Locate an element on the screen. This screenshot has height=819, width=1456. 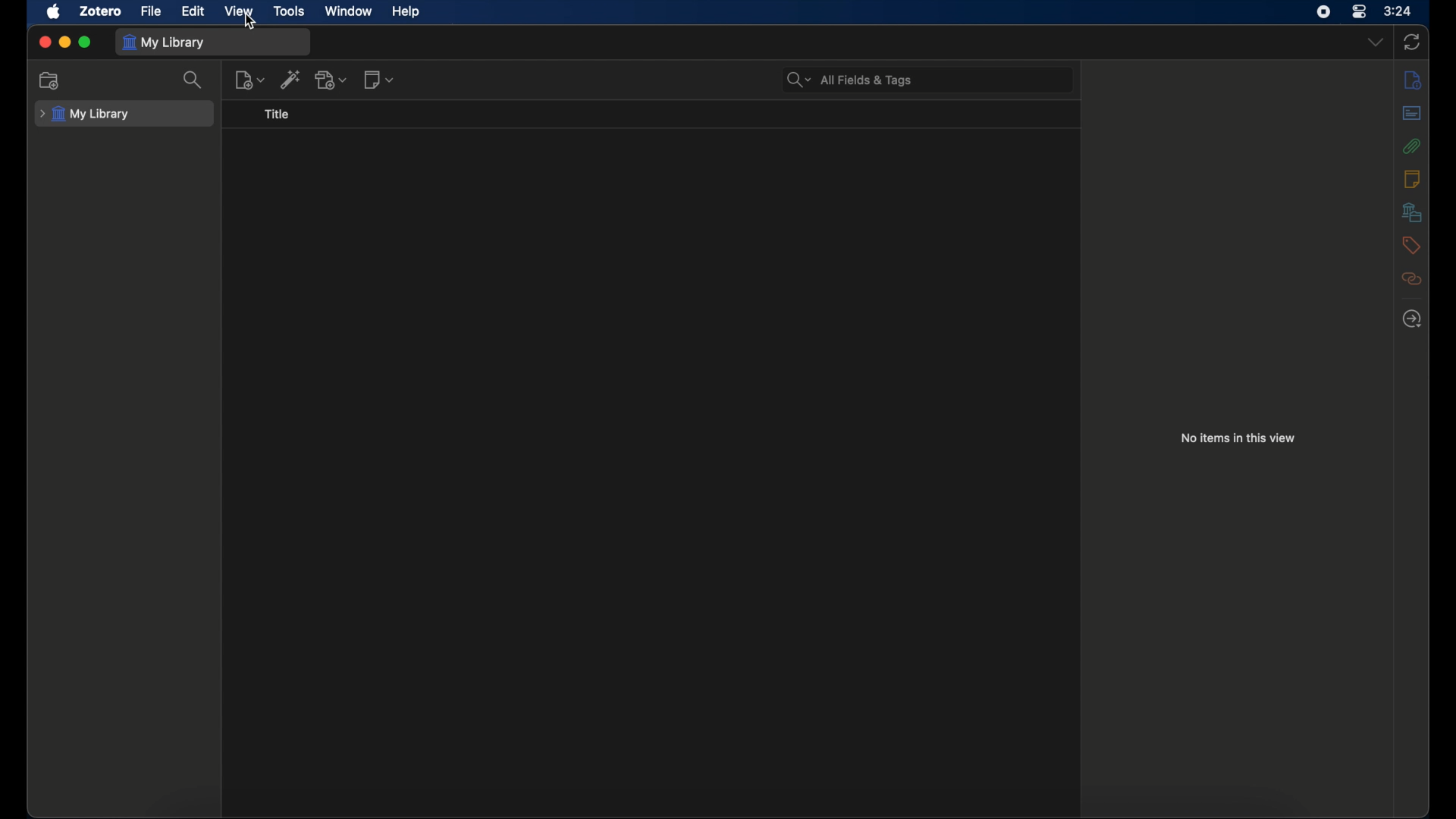
attachments is located at coordinates (1410, 146).